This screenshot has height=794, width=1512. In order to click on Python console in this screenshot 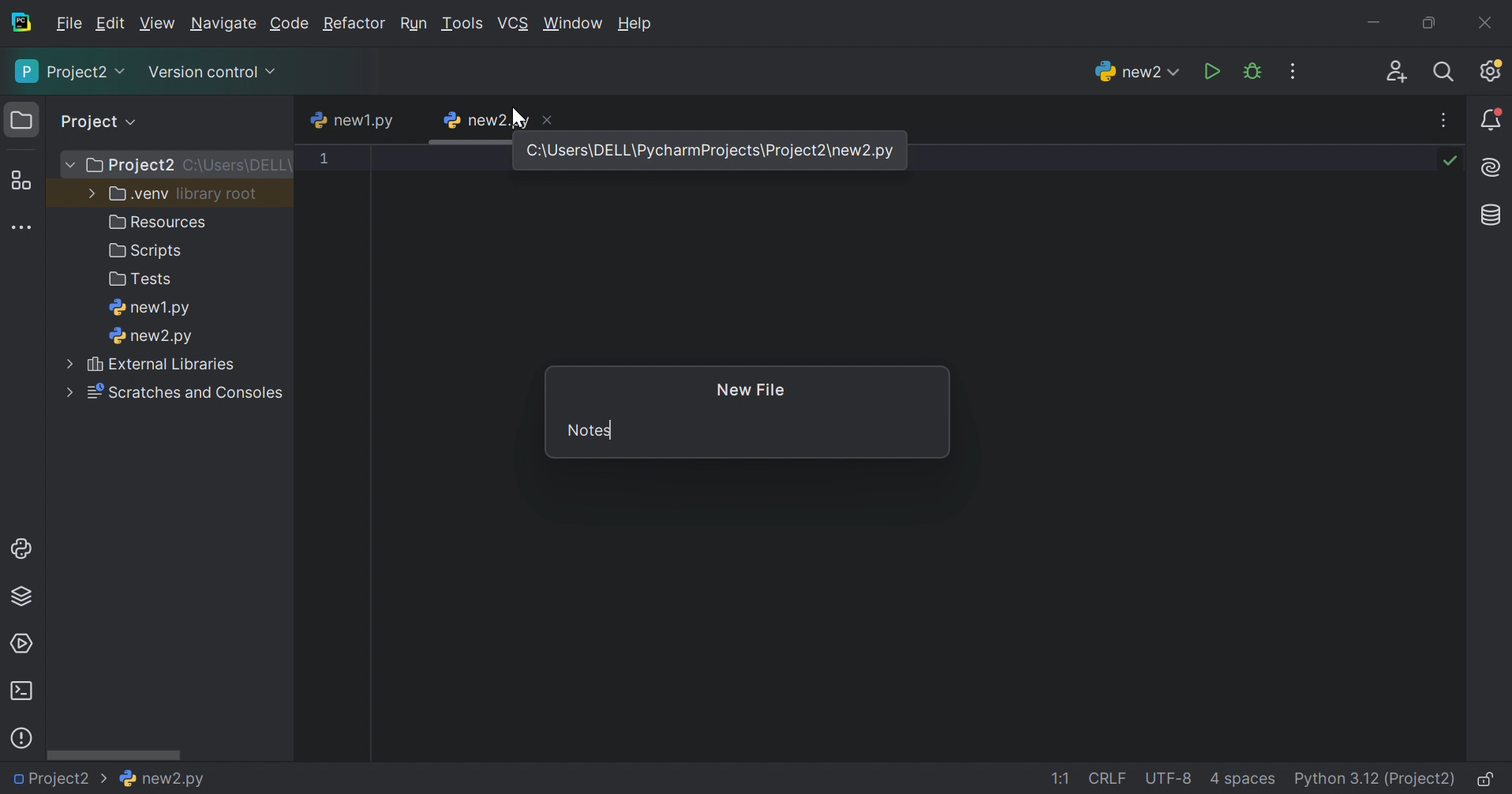, I will do `click(23, 549)`.